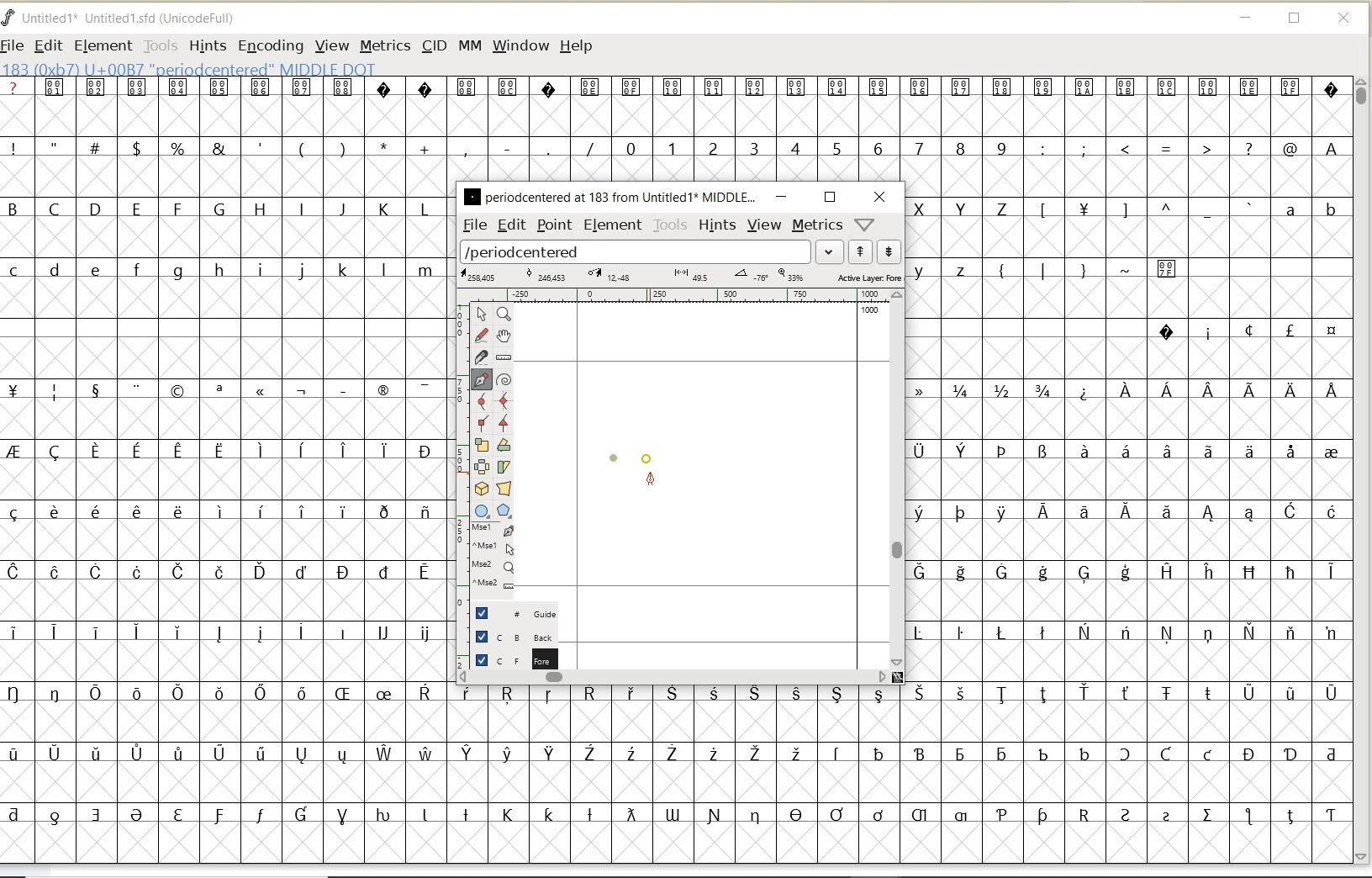  What do you see at coordinates (48, 47) in the screenshot?
I see `EDIT` at bounding box center [48, 47].